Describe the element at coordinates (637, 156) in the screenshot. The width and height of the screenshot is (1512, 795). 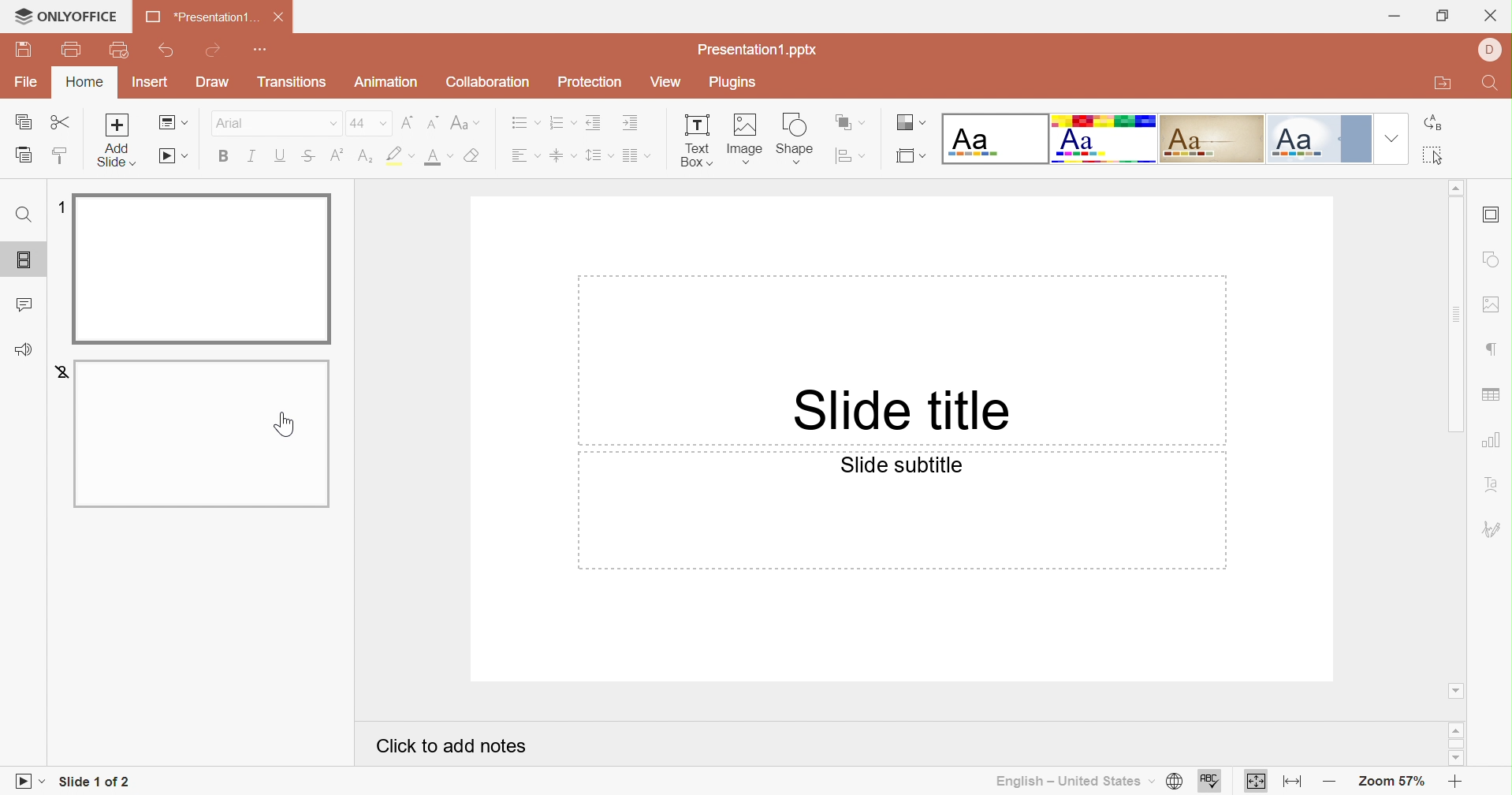
I see `Insert columns` at that location.